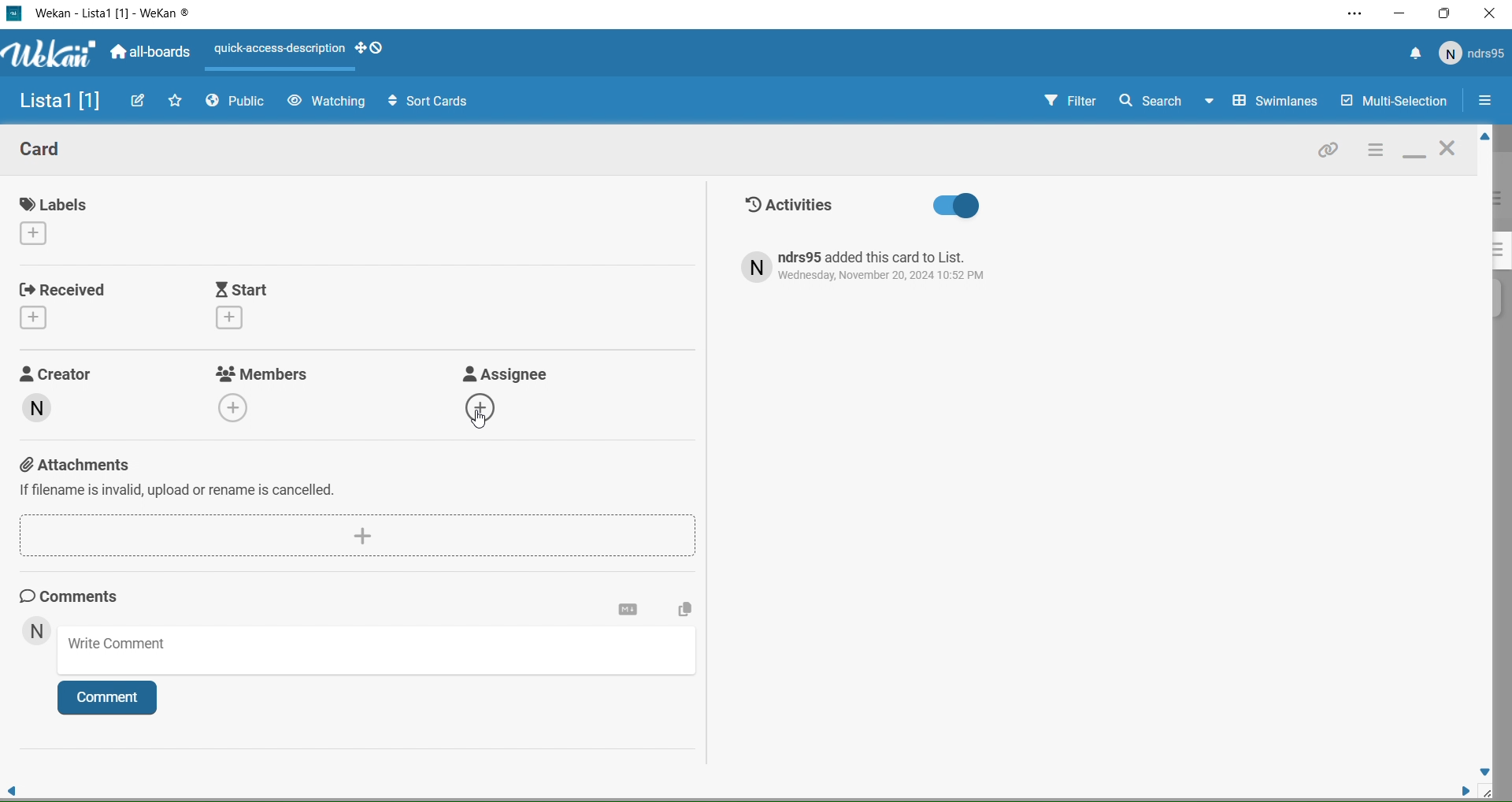 This screenshot has width=1512, height=802. I want to click on Public, so click(239, 103).